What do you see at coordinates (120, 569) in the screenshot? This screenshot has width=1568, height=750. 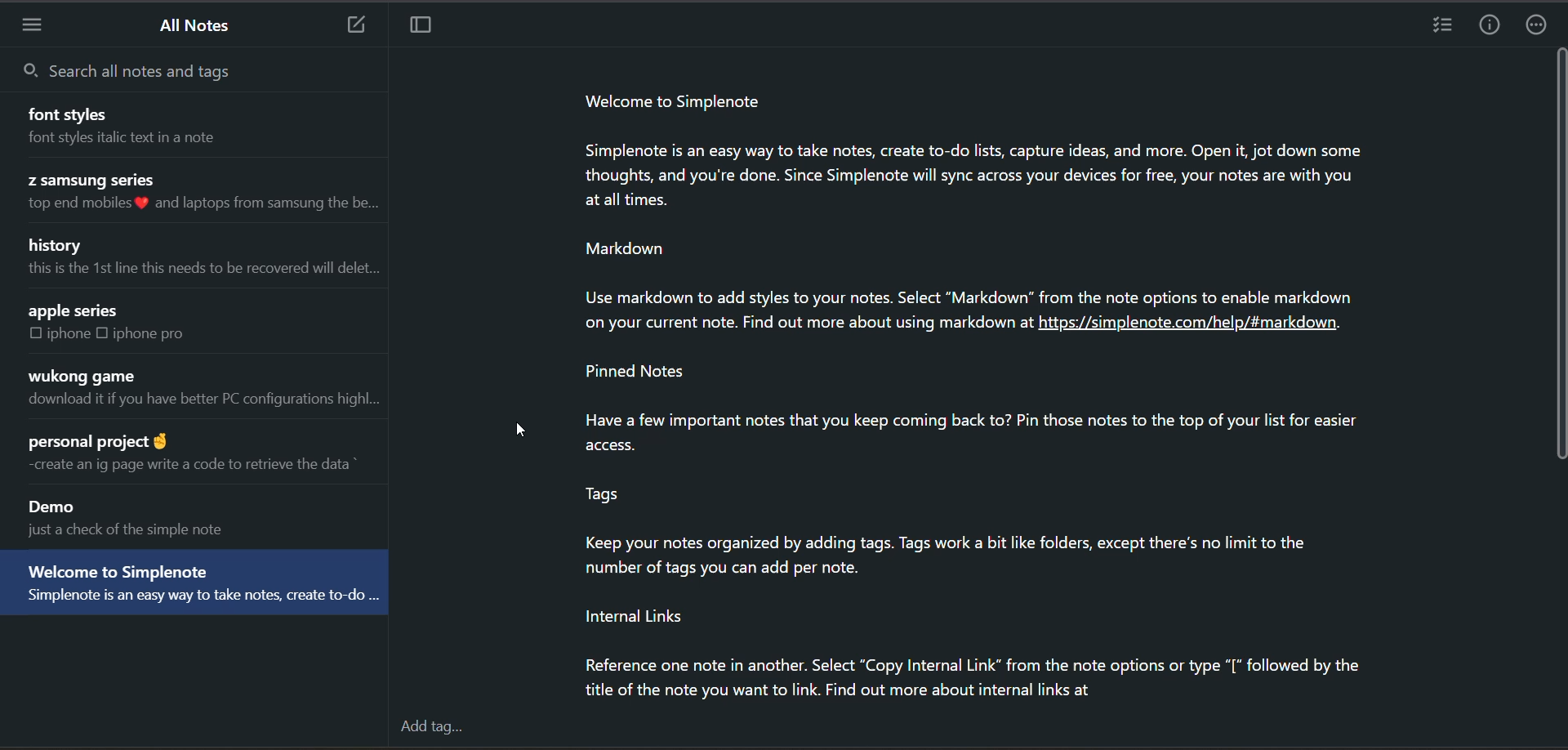 I see `‘Welcome to Simplenote` at bounding box center [120, 569].